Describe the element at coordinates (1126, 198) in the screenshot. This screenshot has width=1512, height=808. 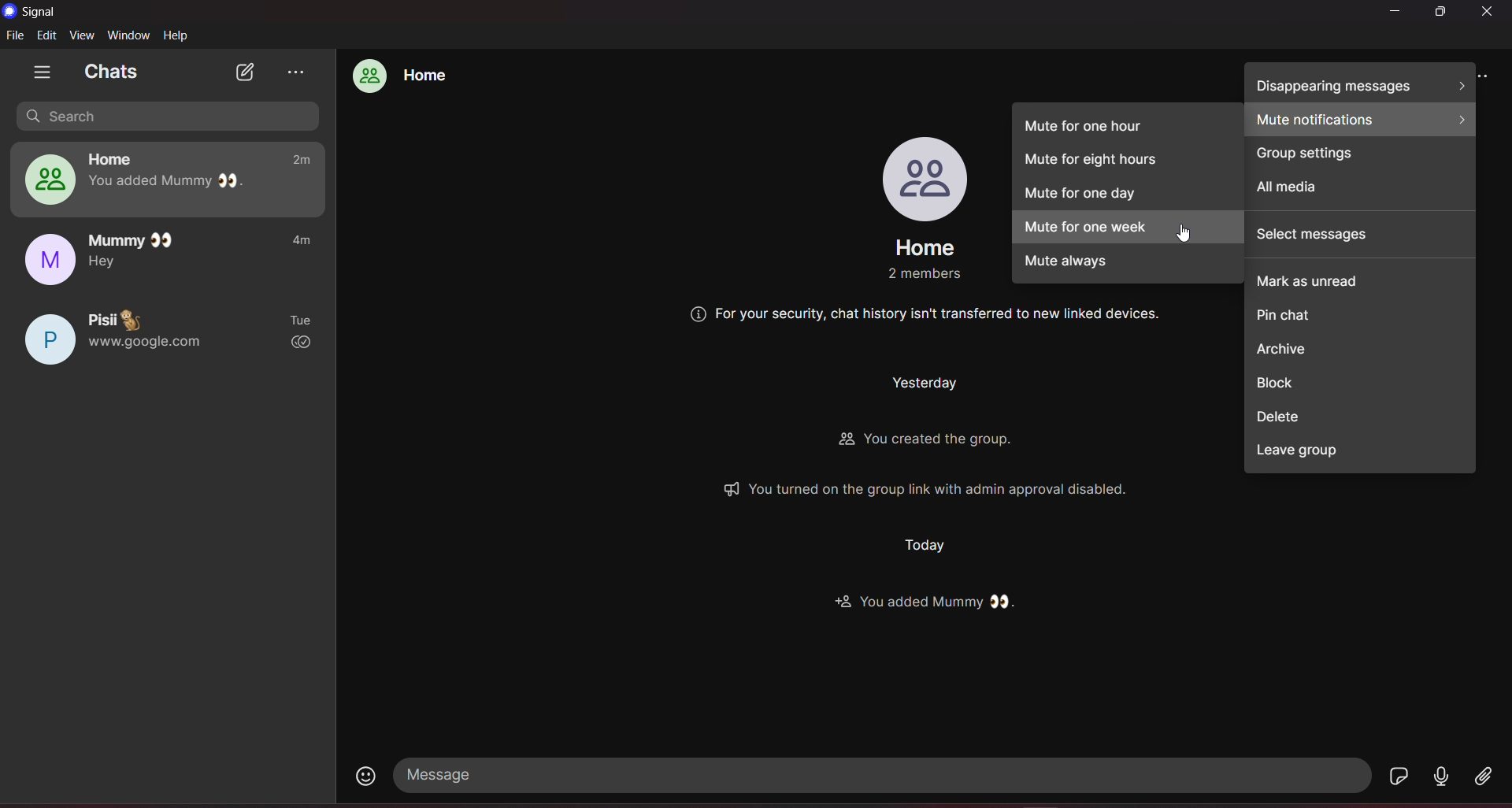
I see `mute for one day` at that location.